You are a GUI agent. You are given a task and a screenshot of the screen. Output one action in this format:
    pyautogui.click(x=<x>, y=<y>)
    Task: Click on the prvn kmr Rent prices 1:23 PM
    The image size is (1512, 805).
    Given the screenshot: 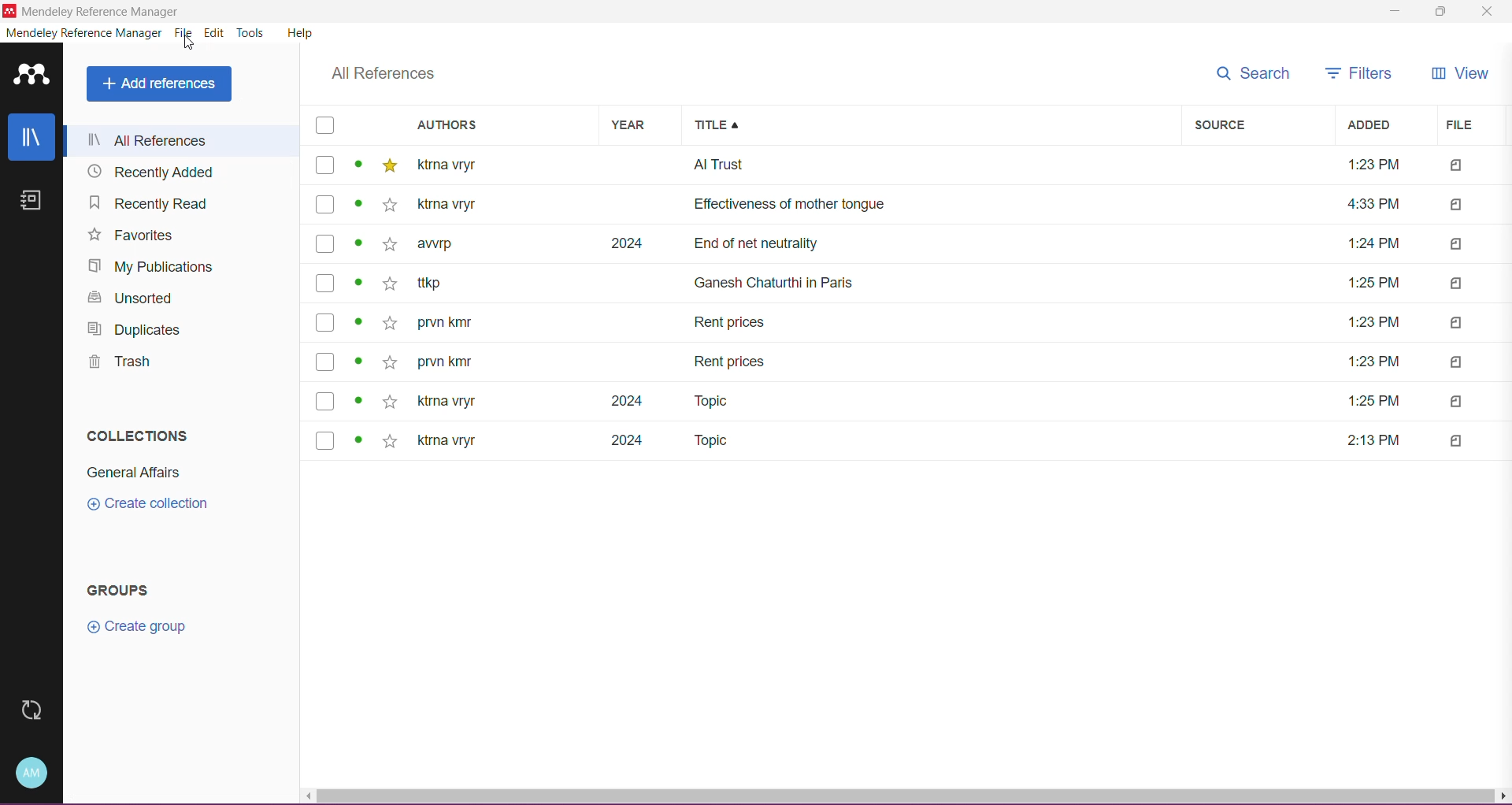 What is the action you would take?
    pyautogui.click(x=910, y=364)
    